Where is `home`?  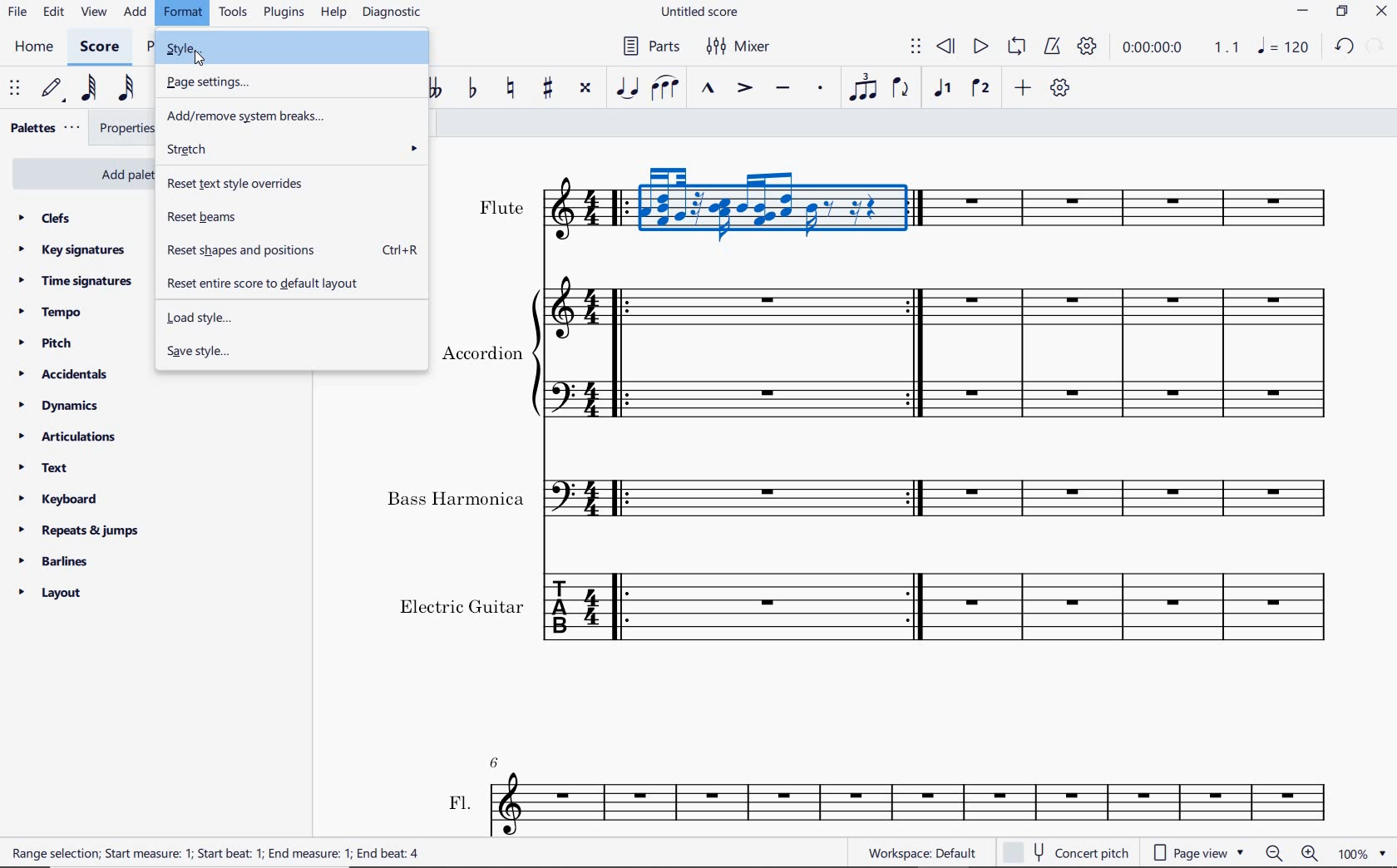 home is located at coordinates (37, 47).